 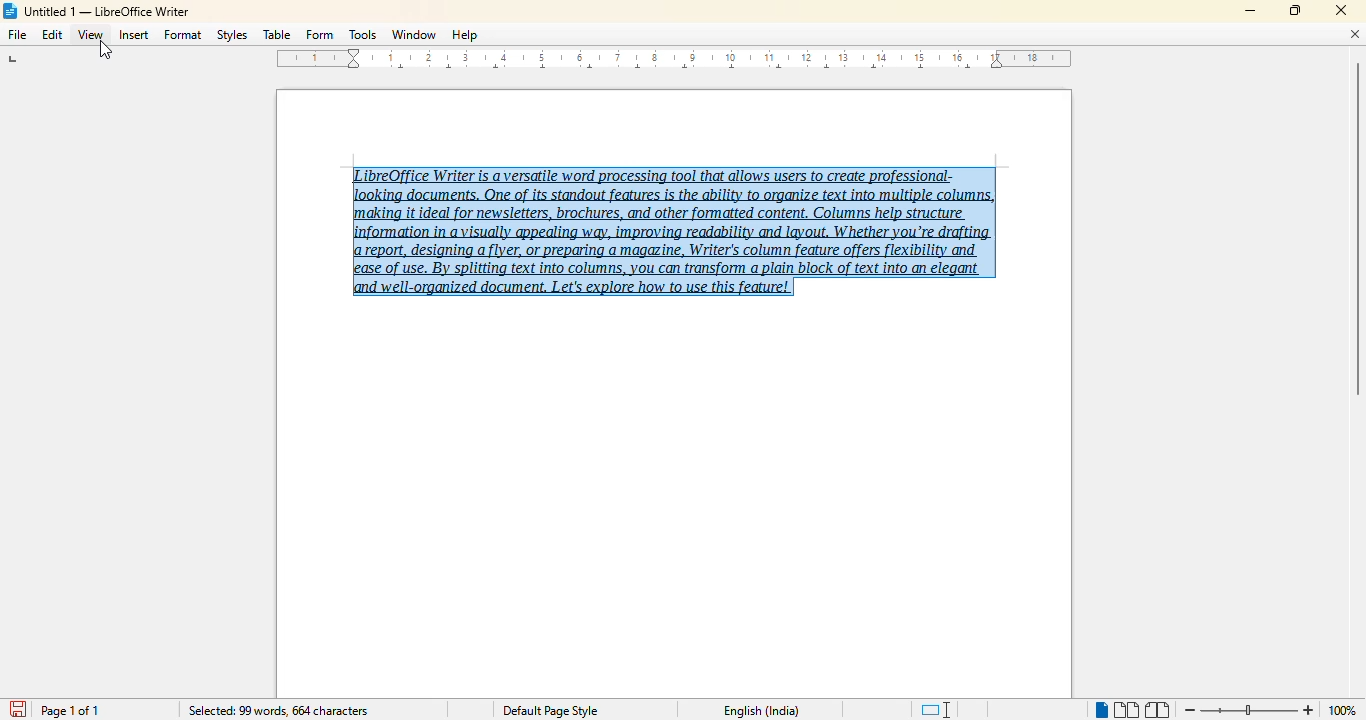 I want to click on LibreOffice logo, so click(x=12, y=10).